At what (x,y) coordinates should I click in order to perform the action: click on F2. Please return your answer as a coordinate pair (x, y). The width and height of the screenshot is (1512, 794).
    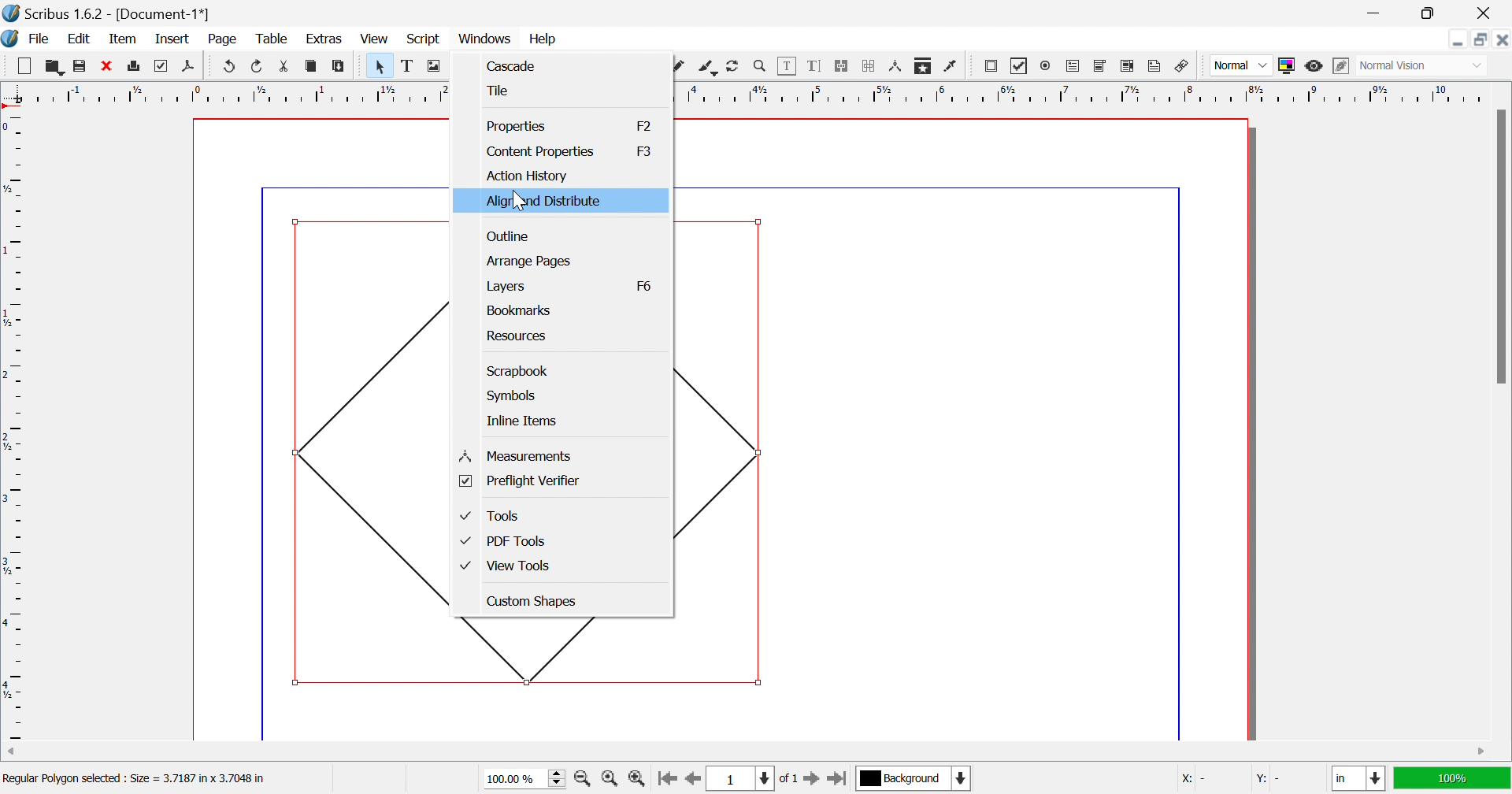
    Looking at the image, I should click on (643, 124).